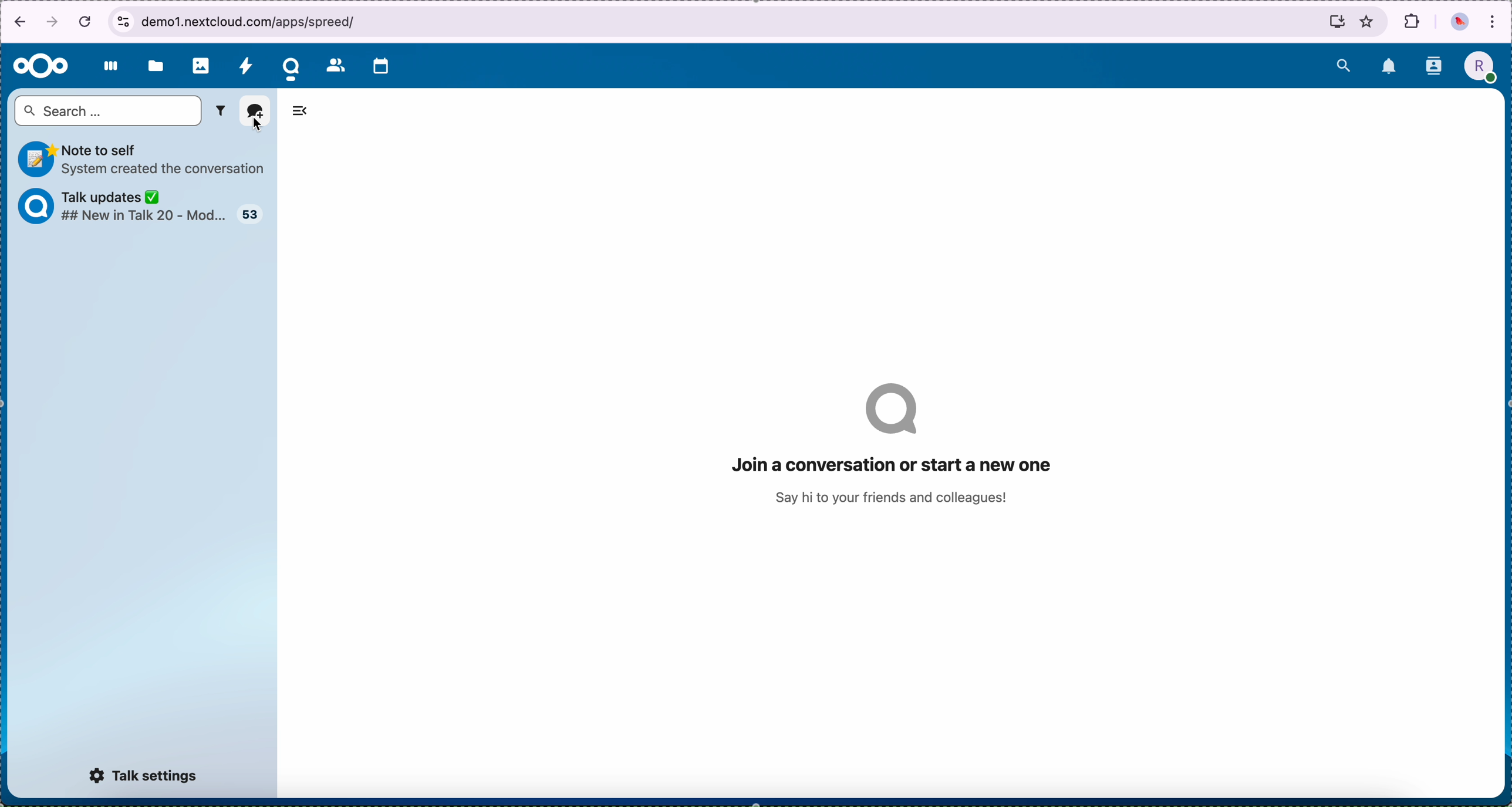 This screenshot has height=807, width=1512. I want to click on cursor on talk, so click(294, 65).